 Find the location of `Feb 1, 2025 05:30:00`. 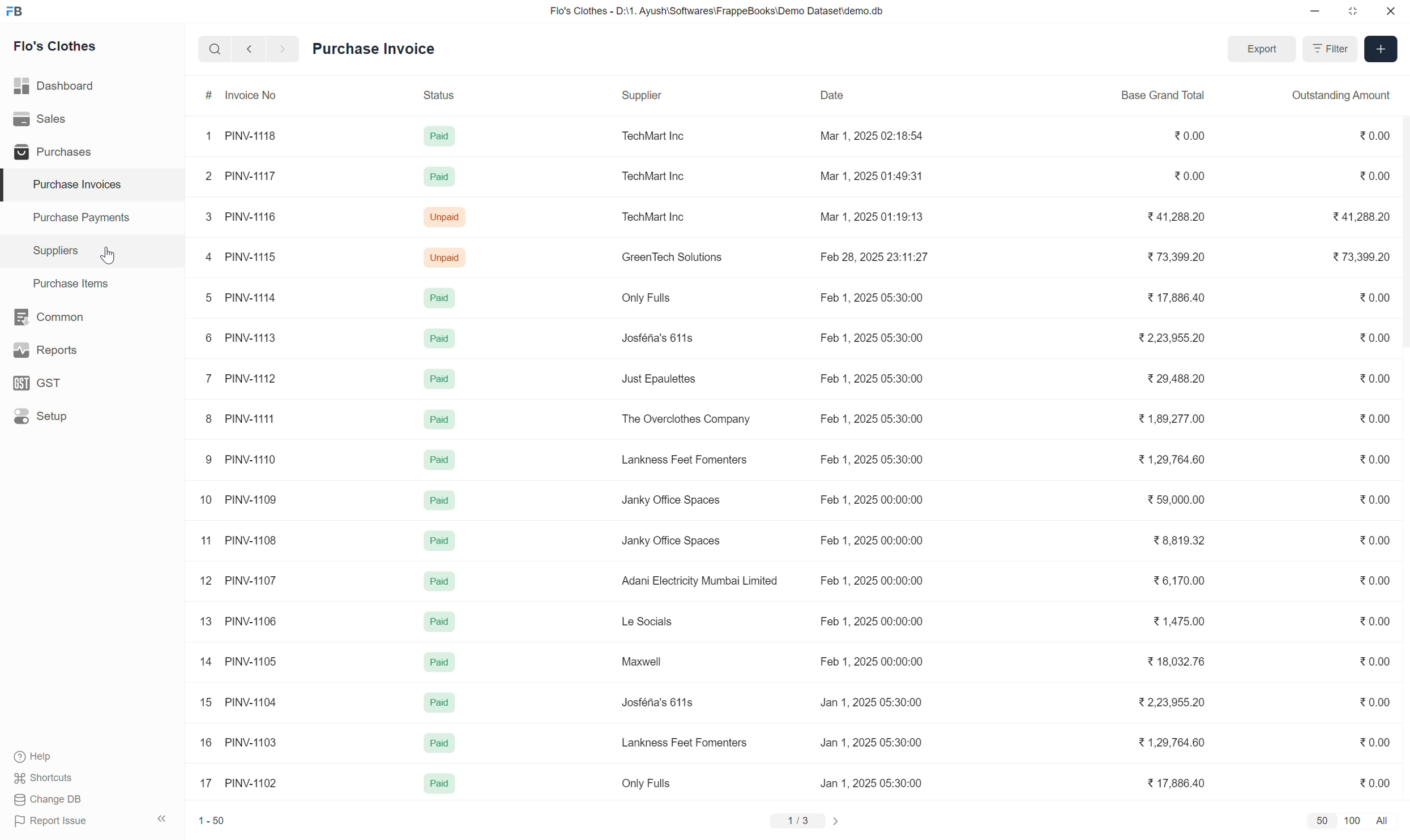

Feb 1, 2025 05:30:00 is located at coordinates (869, 339).